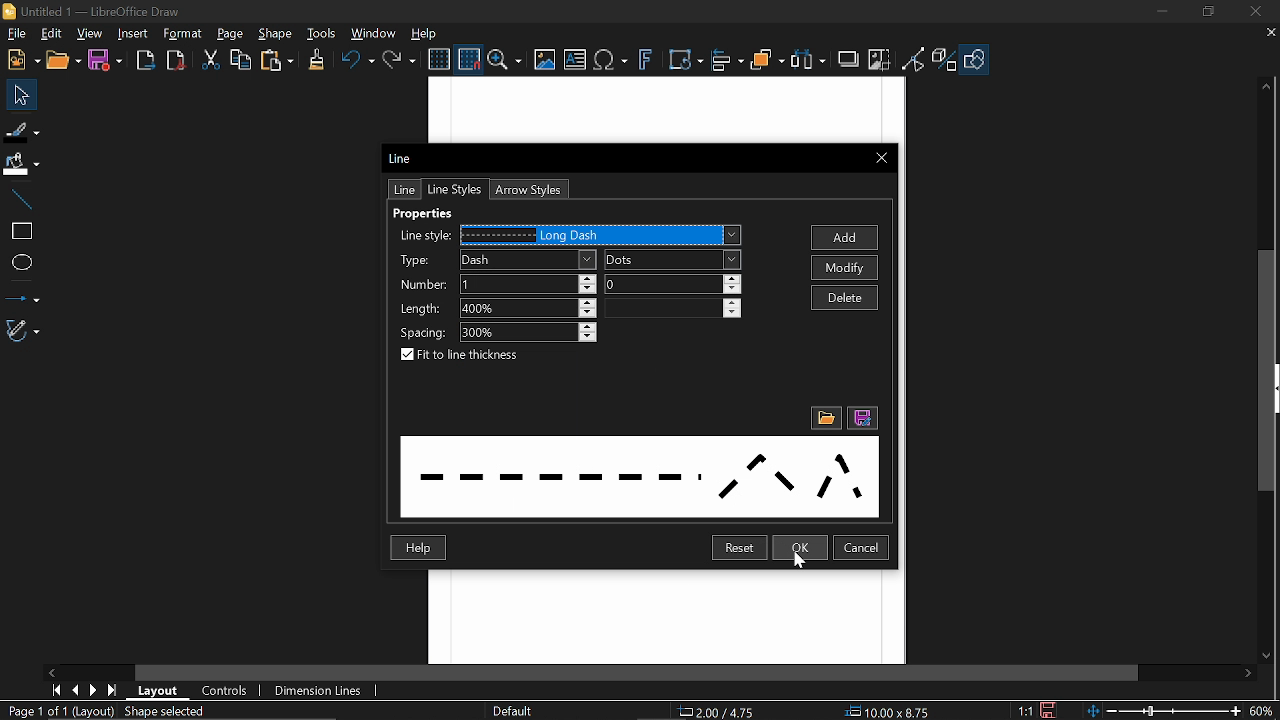 The width and height of the screenshot is (1280, 720). What do you see at coordinates (425, 33) in the screenshot?
I see `Help` at bounding box center [425, 33].